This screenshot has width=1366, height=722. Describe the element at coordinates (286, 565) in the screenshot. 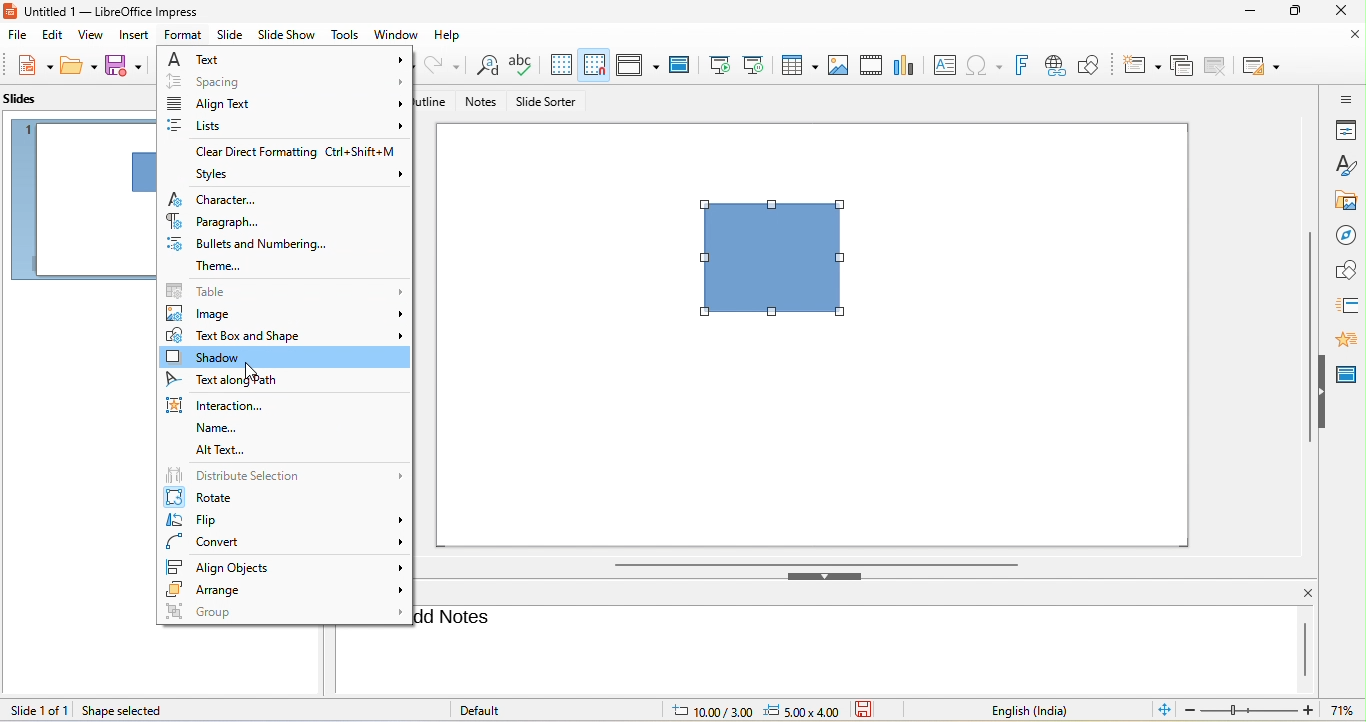

I see `align objects` at that location.